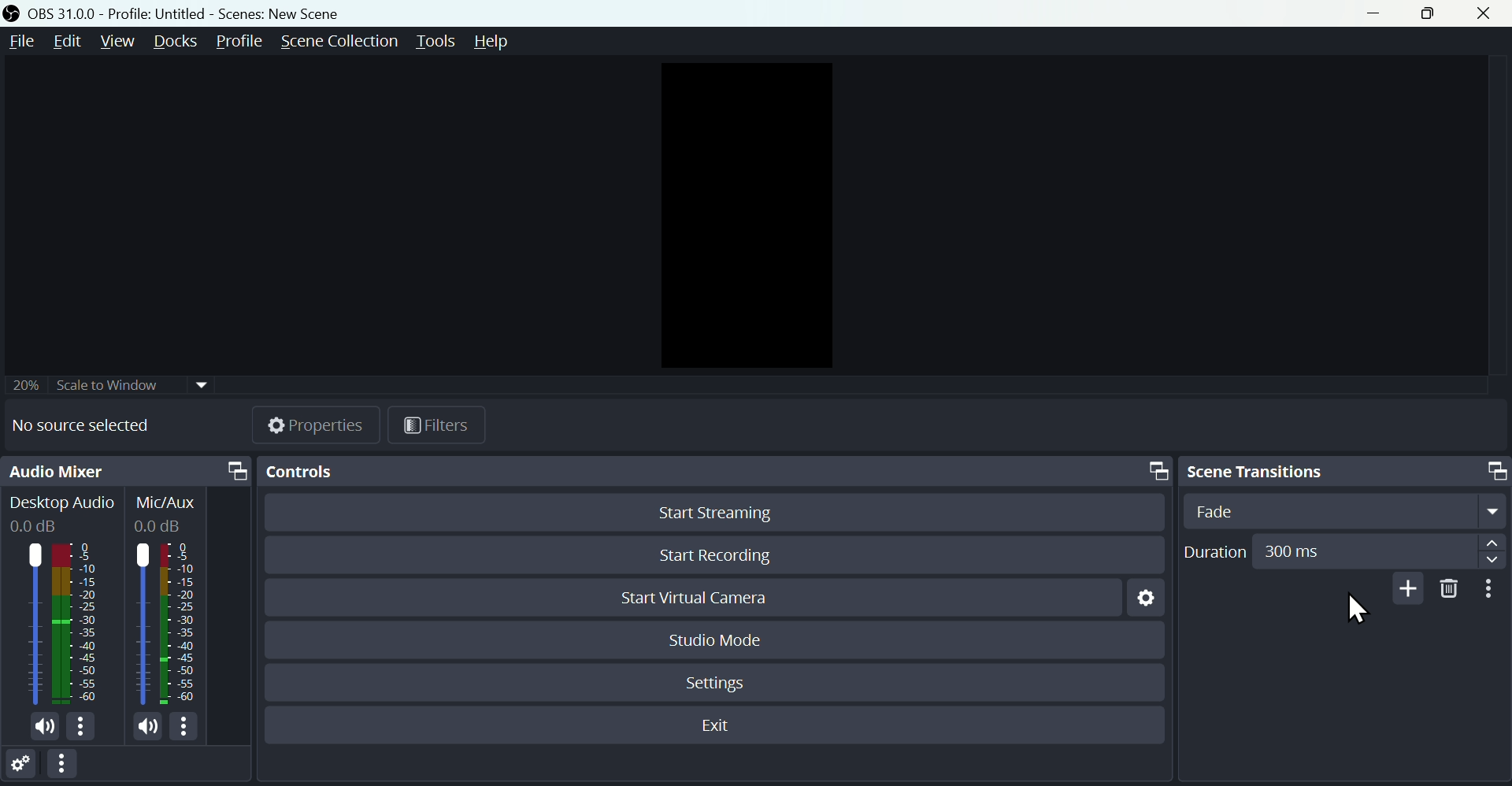 The height and width of the screenshot is (786, 1512). Describe the element at coordinates (176, 42) in the screenshot. I see `Docks` at that location.